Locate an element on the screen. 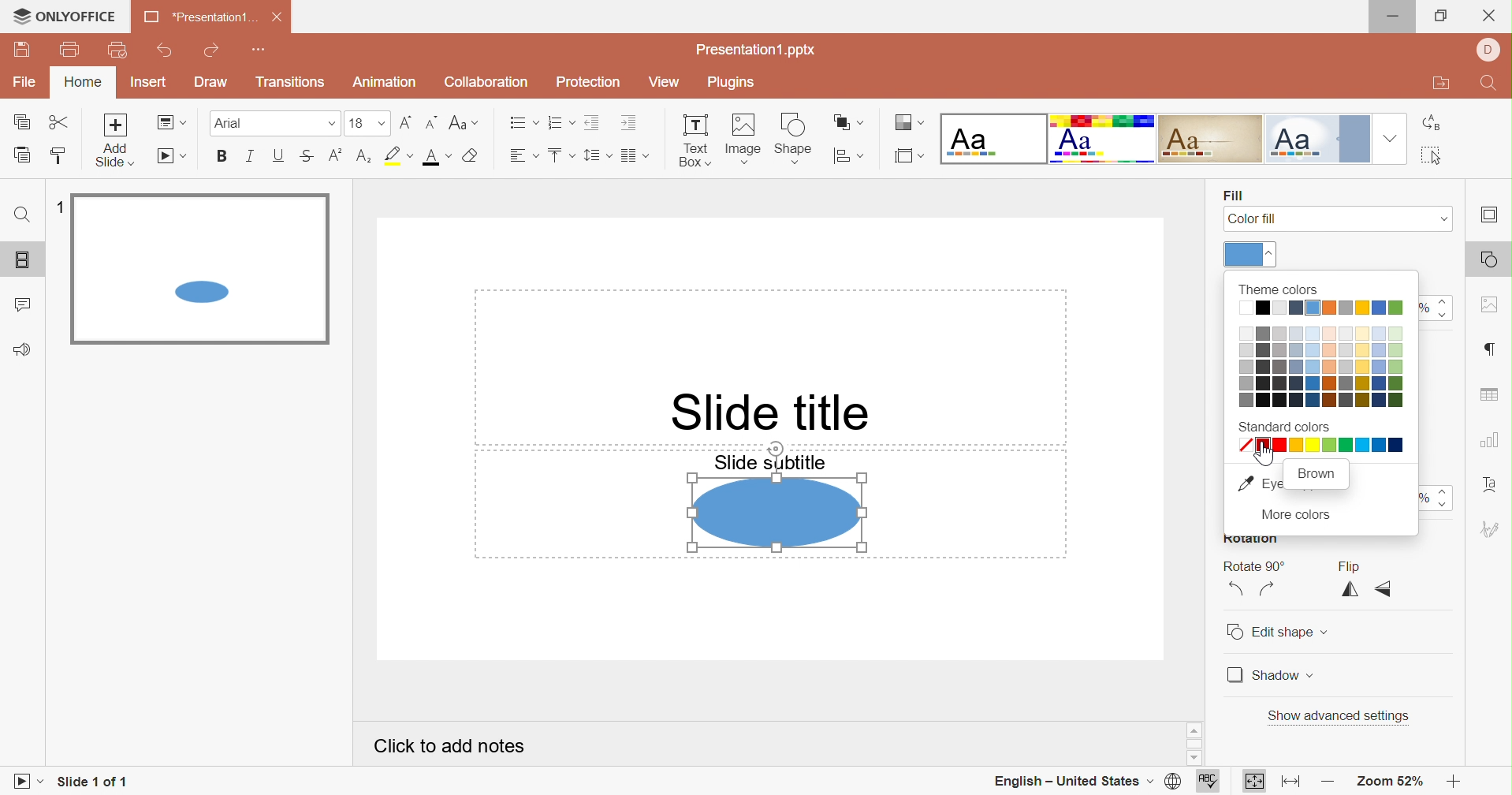 The image size is (1512, 795). Close is located at coordinates (277, 19).